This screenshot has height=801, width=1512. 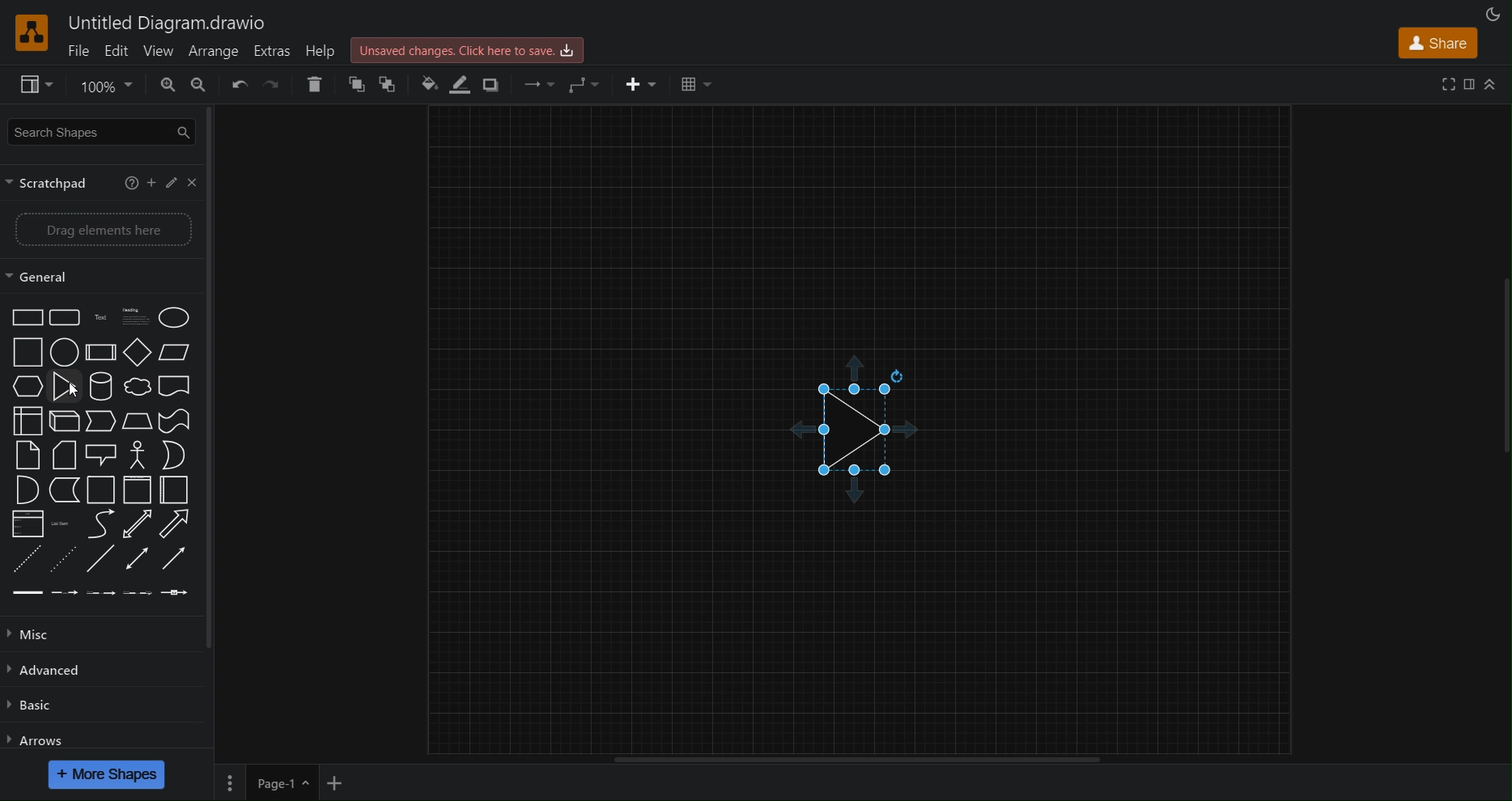 I want to click on Insert, so click(x=643, y=87).